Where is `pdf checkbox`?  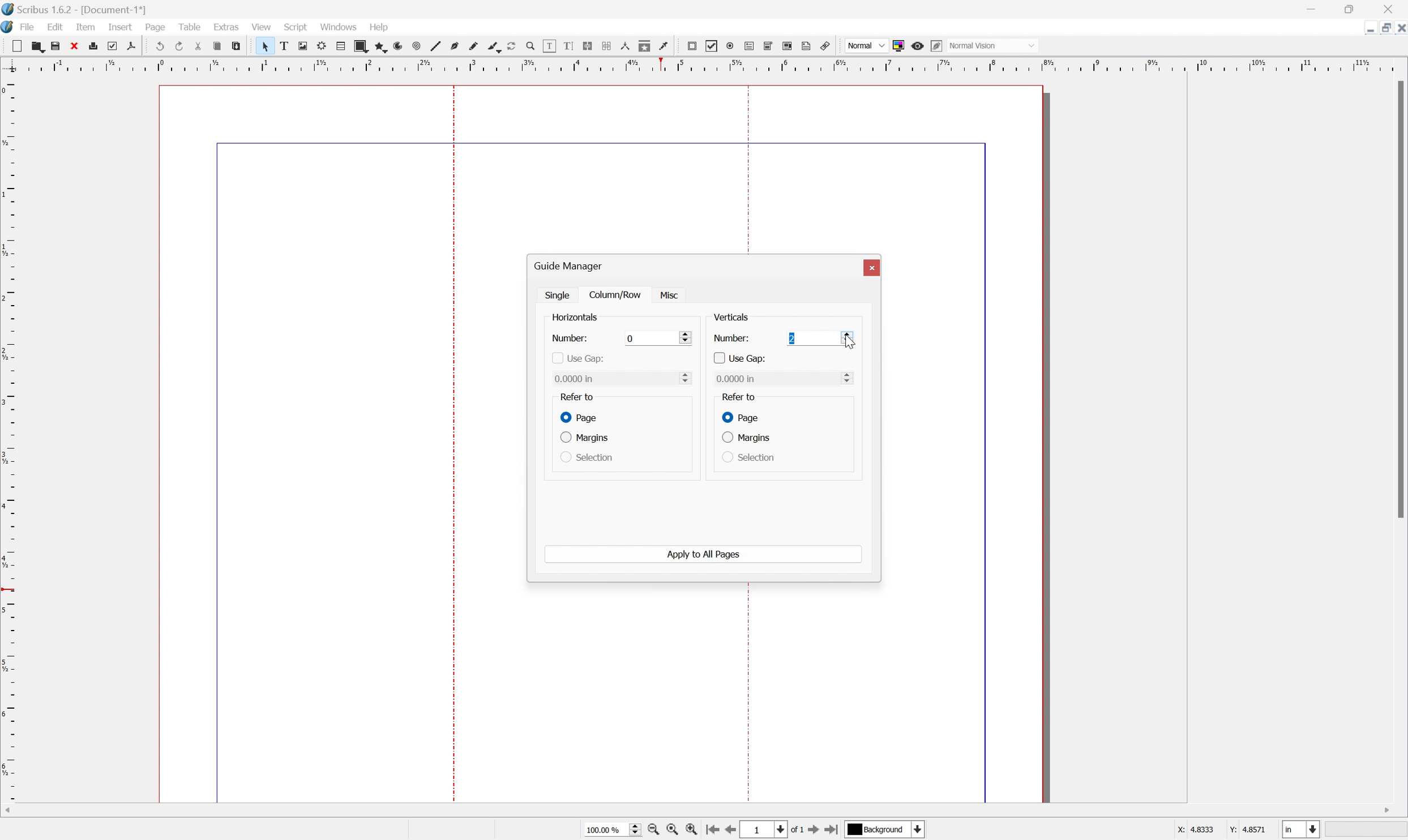 pdf checkbox is located at coordinates (713, 46).